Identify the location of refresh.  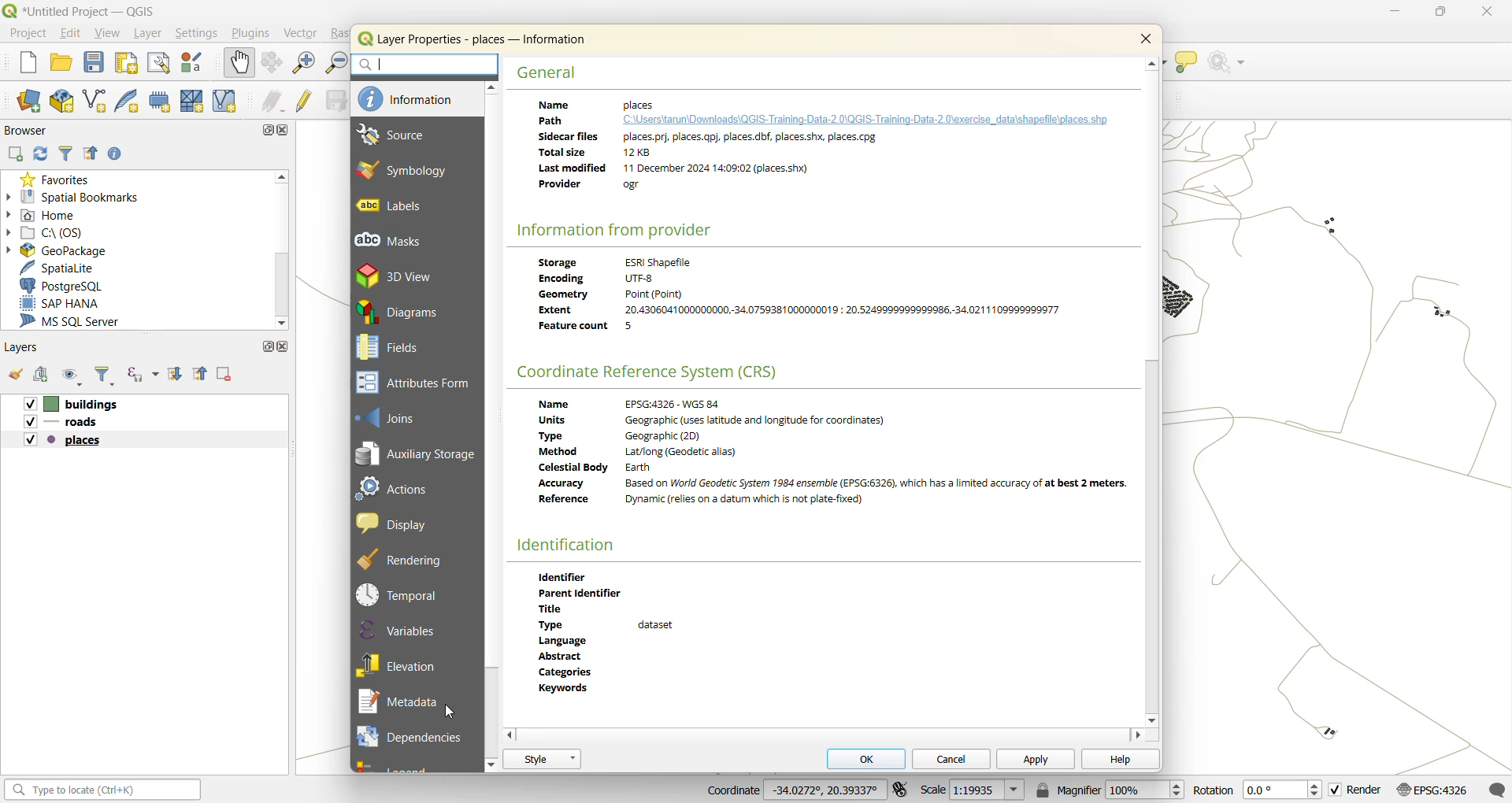
(41, 154).